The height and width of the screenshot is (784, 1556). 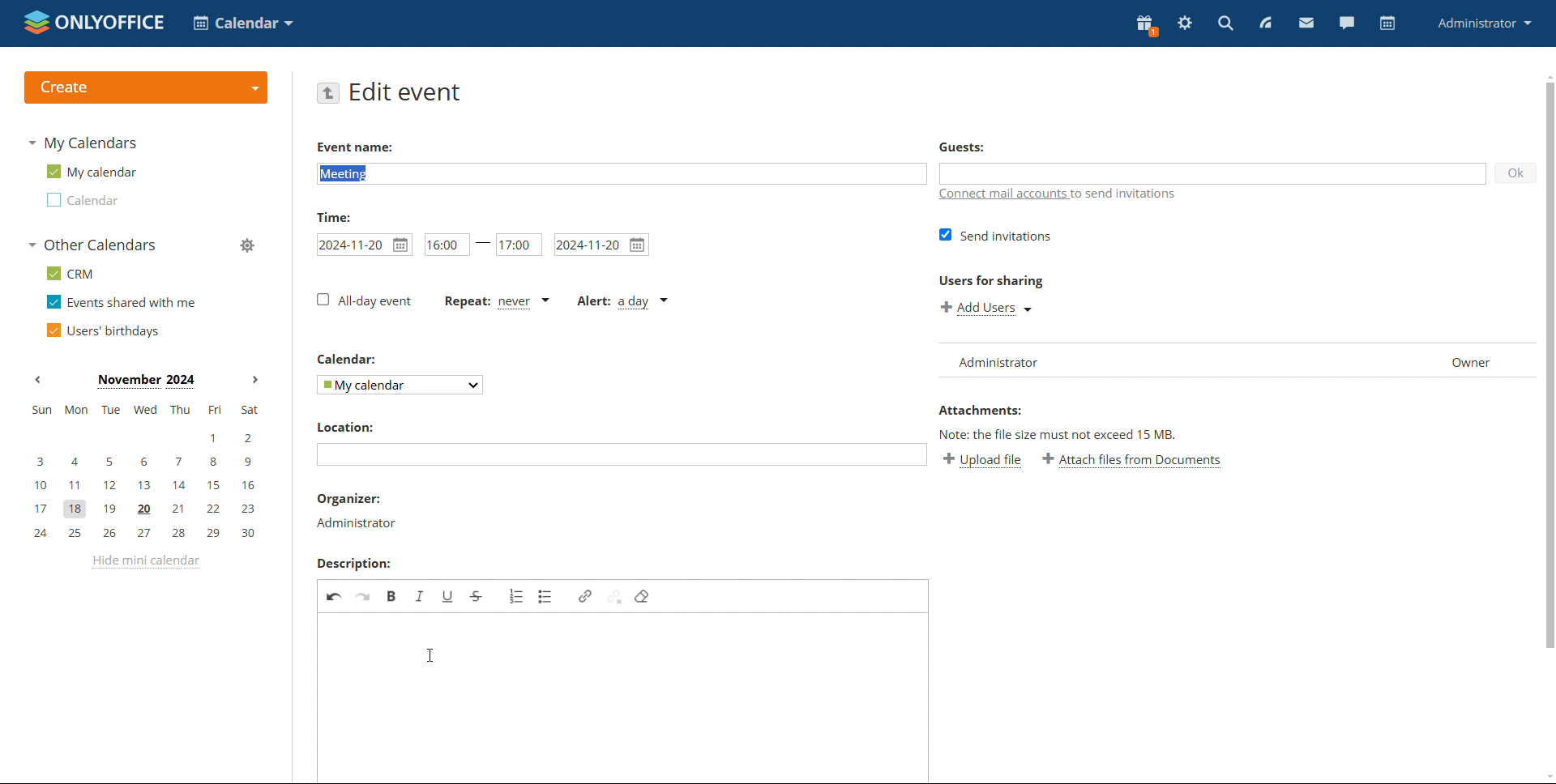 What do you see at coordinates (622, 697) in the screenshot?
I see `event description` at bounding box center [622, 697].